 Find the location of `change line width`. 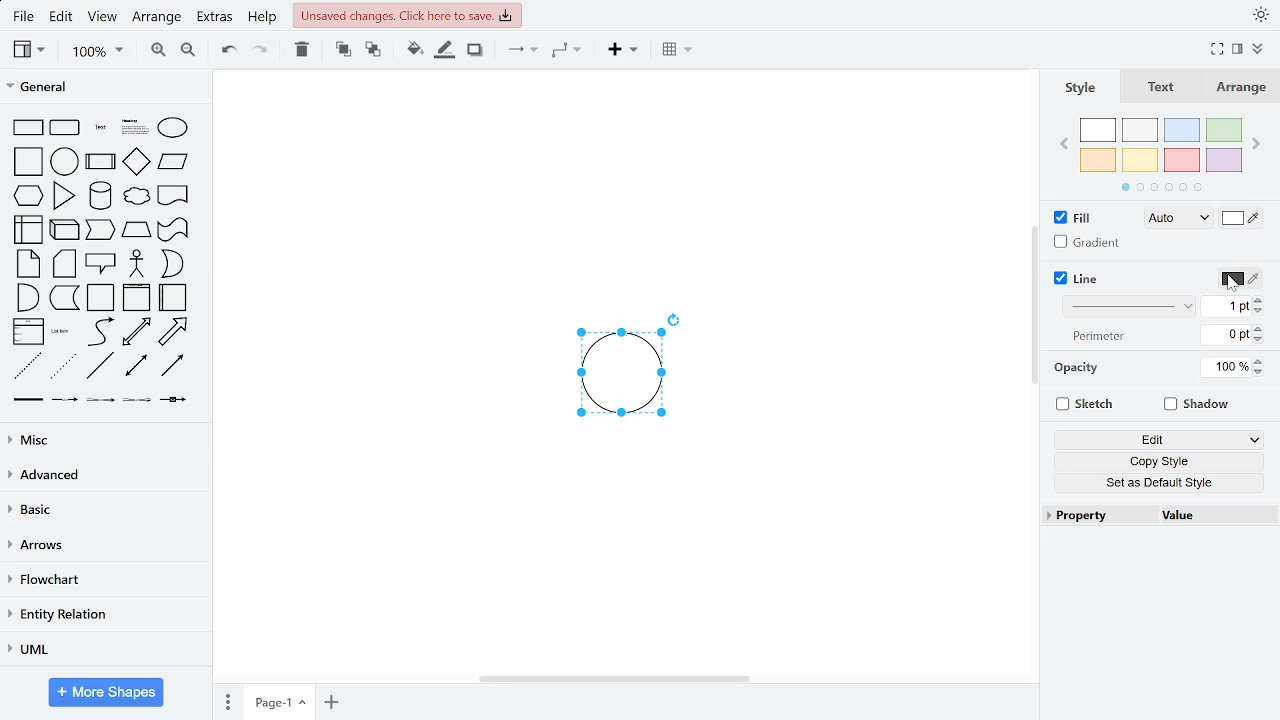

change line width is located at coordinates (1228, 306).